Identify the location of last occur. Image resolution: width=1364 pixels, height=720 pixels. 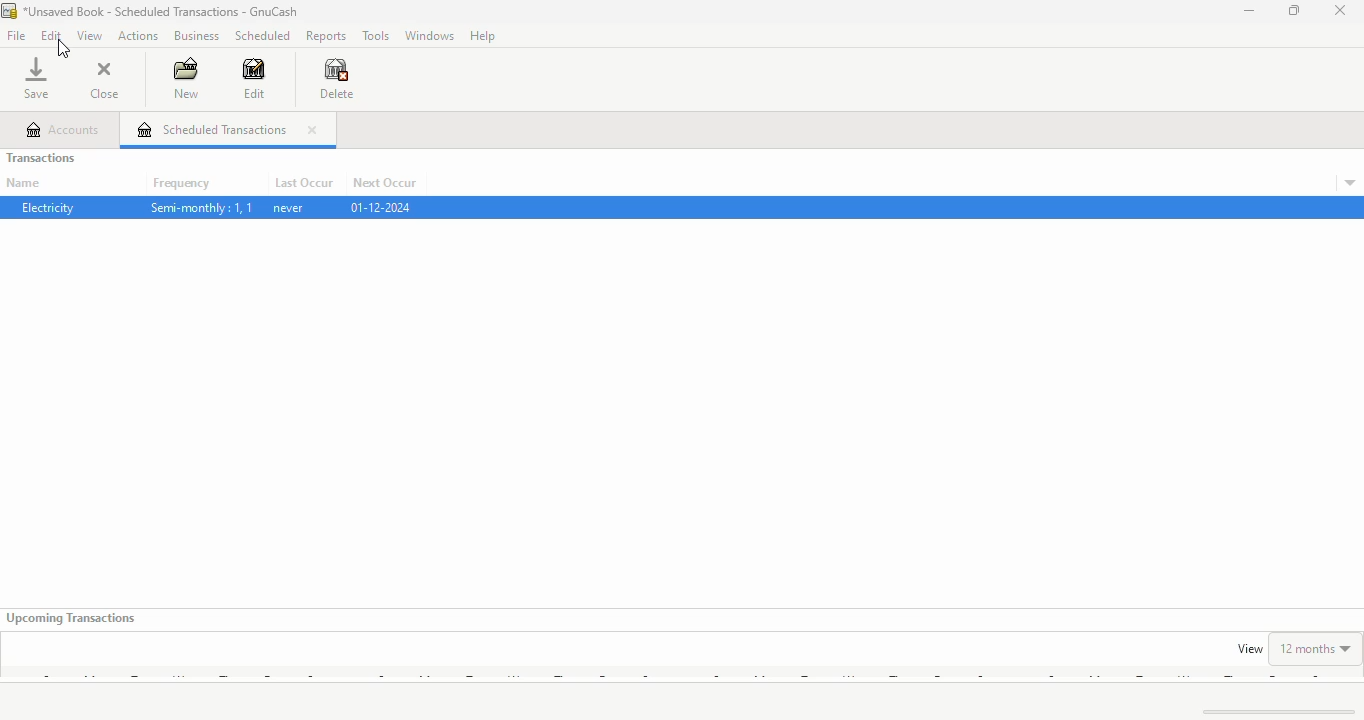
(303, 183).